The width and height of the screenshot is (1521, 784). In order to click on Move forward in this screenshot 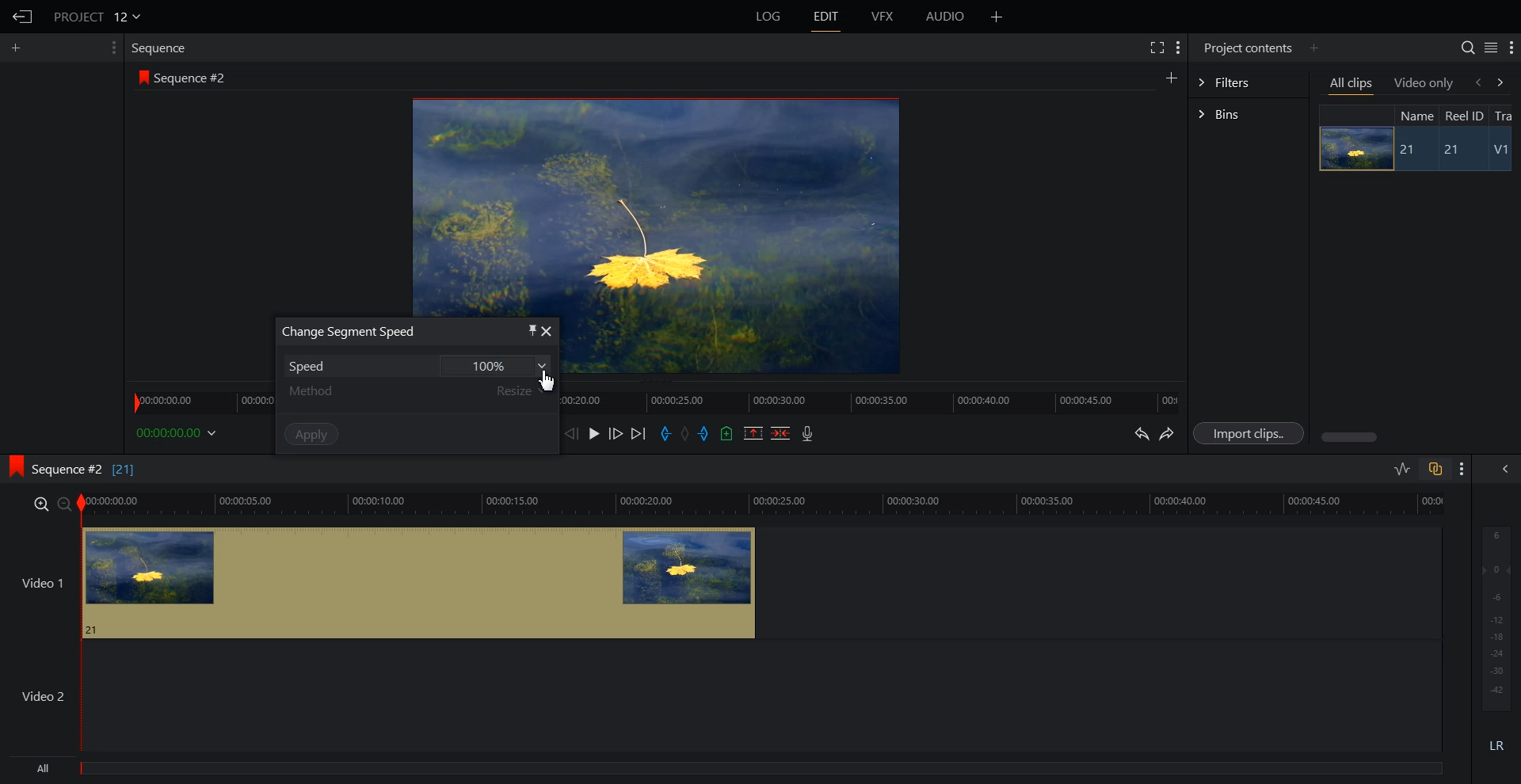, I will do `click(639, 434)`.